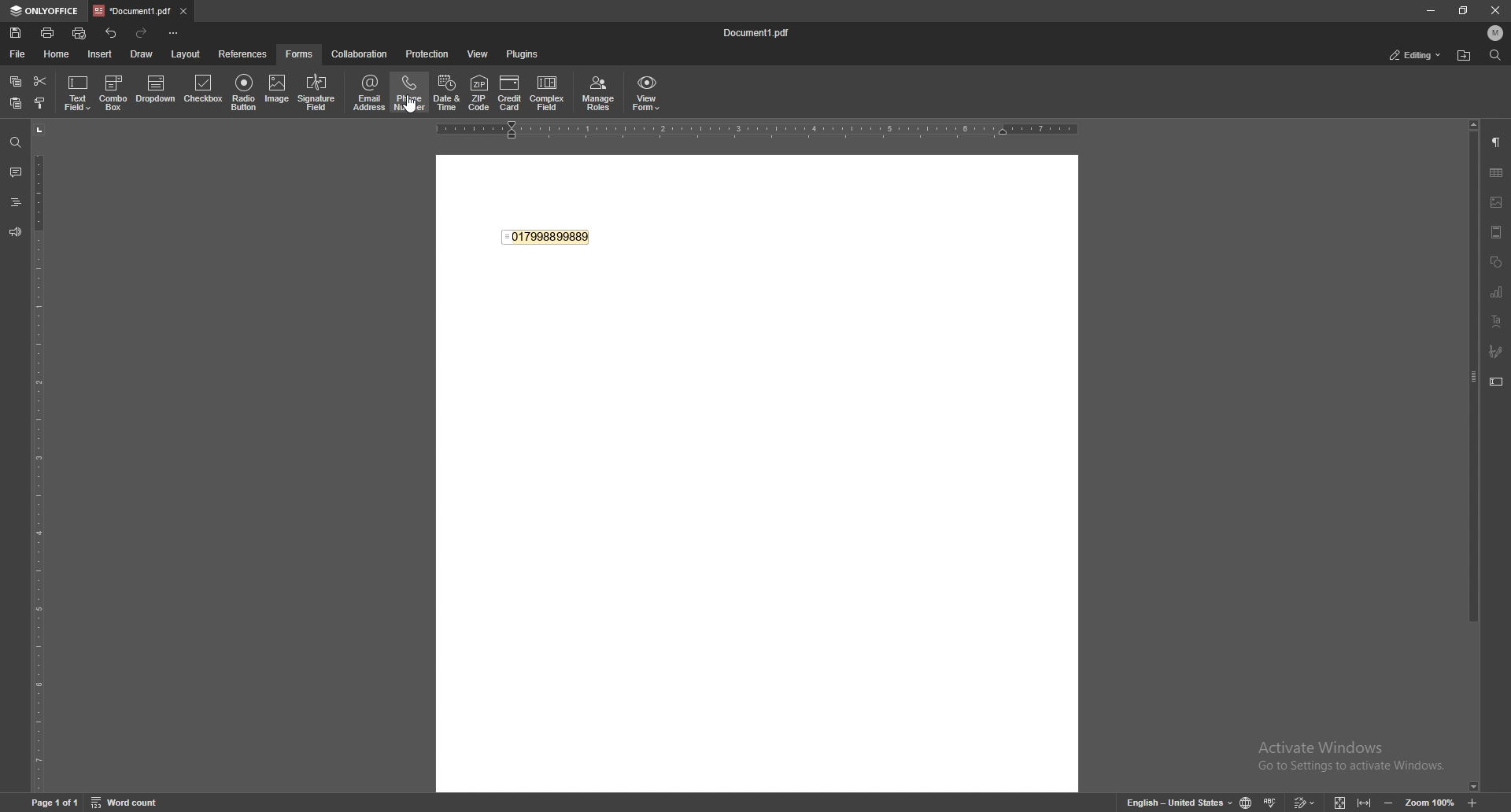 The image size is (1511, 812). What do you see at coordinates (410, 102) in the screenshot?
I see `cursor` at bounding box center [410, 102].